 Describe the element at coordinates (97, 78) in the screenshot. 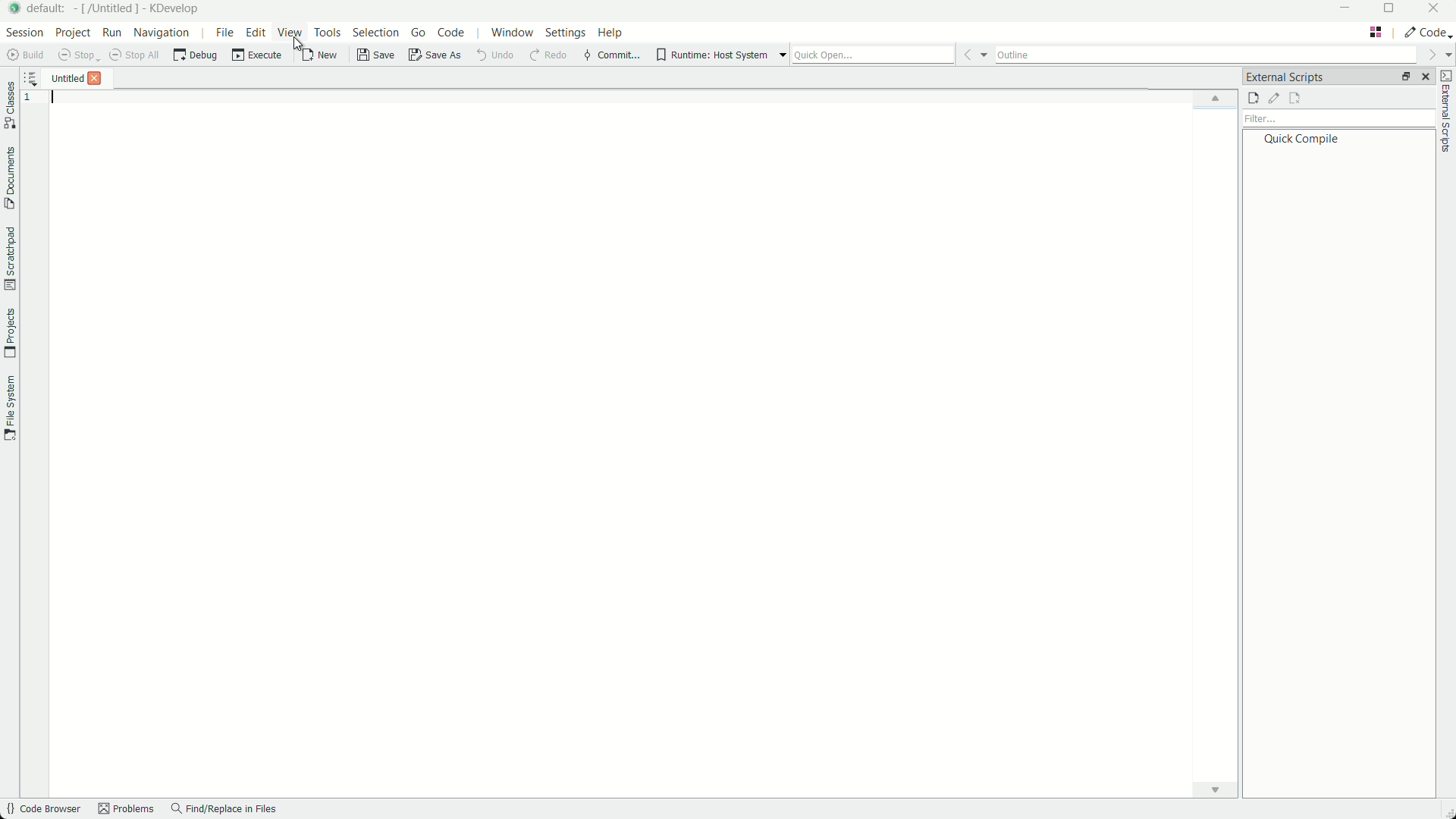

I see `close file` at that location.